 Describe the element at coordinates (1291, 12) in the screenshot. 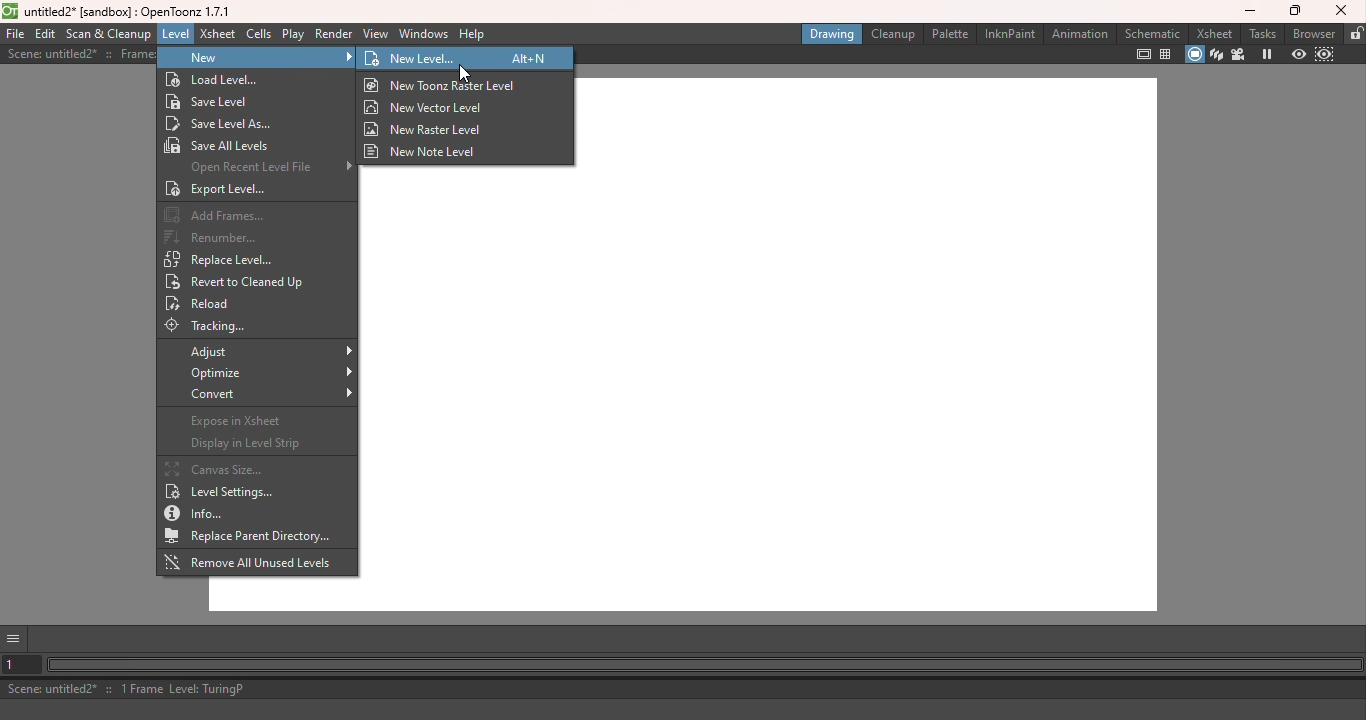

I see `Maximize` at that location.